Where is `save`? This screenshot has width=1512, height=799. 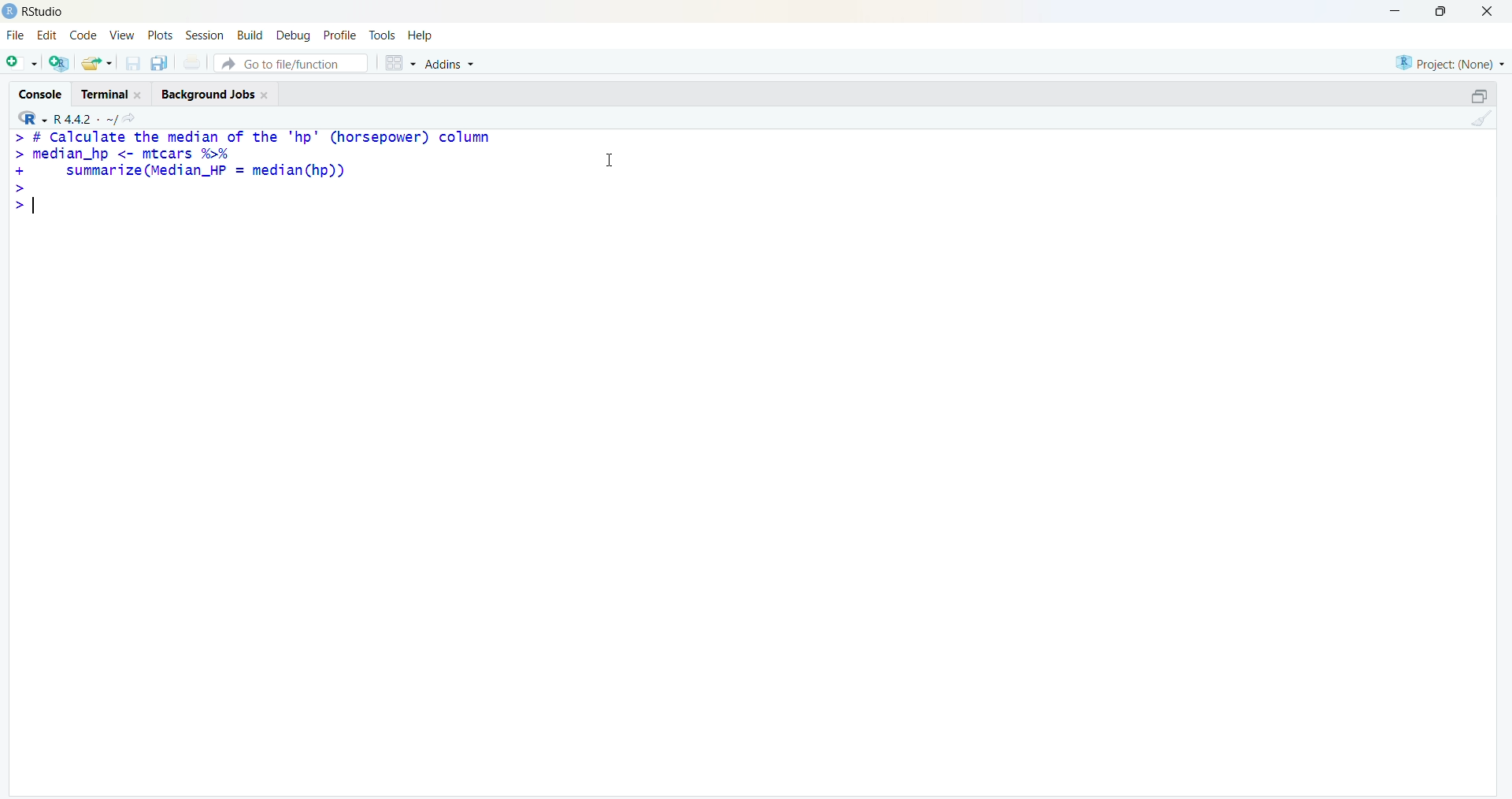 save is located at coordinates (135, 63).